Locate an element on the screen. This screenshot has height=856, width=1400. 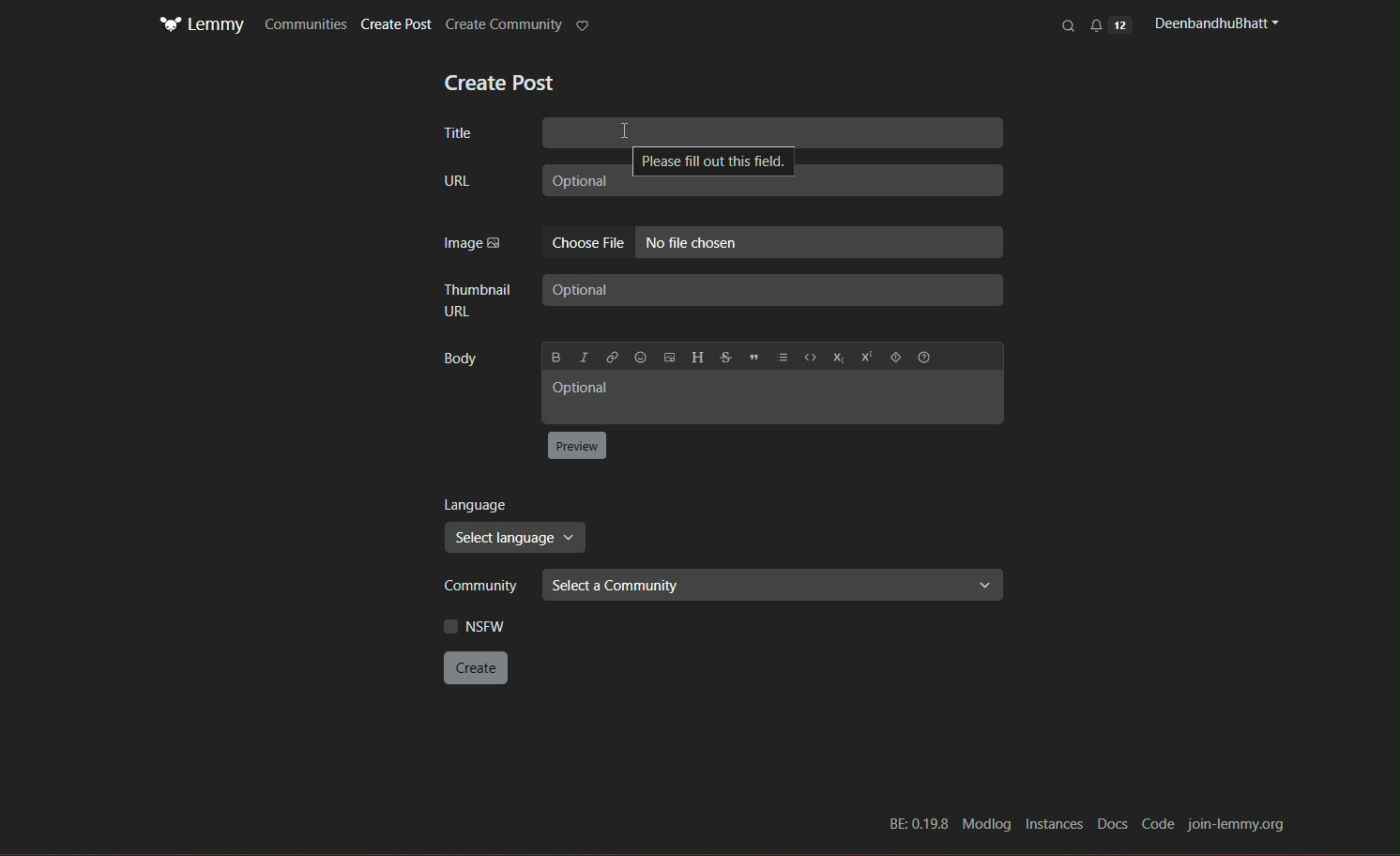
select language is located at coordinates (516, 539).